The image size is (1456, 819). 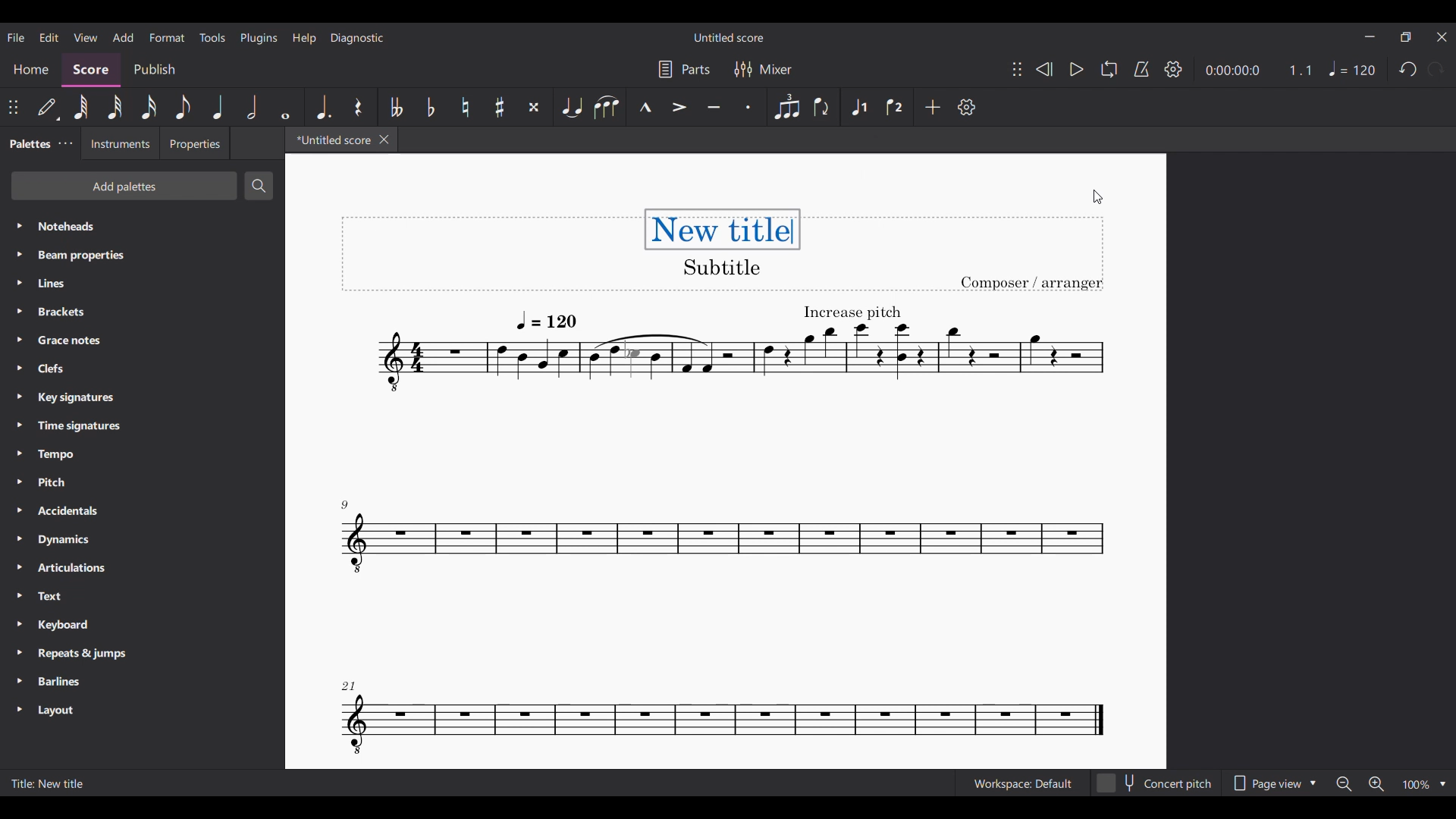 I want to click on Minimize, so click(x=1370, y=36).